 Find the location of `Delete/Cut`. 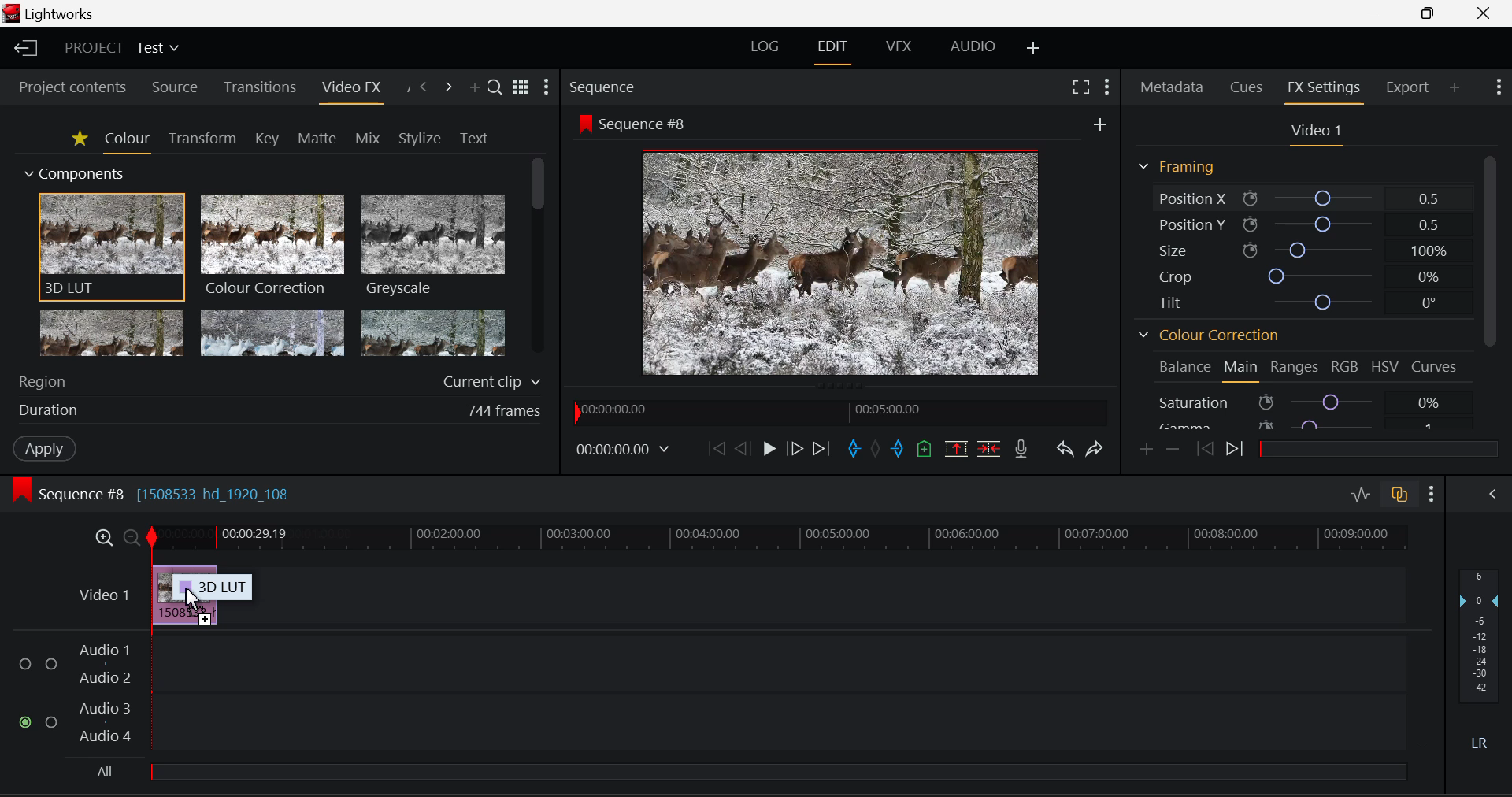

Delete/Cut is located at coordinates (991, 449).